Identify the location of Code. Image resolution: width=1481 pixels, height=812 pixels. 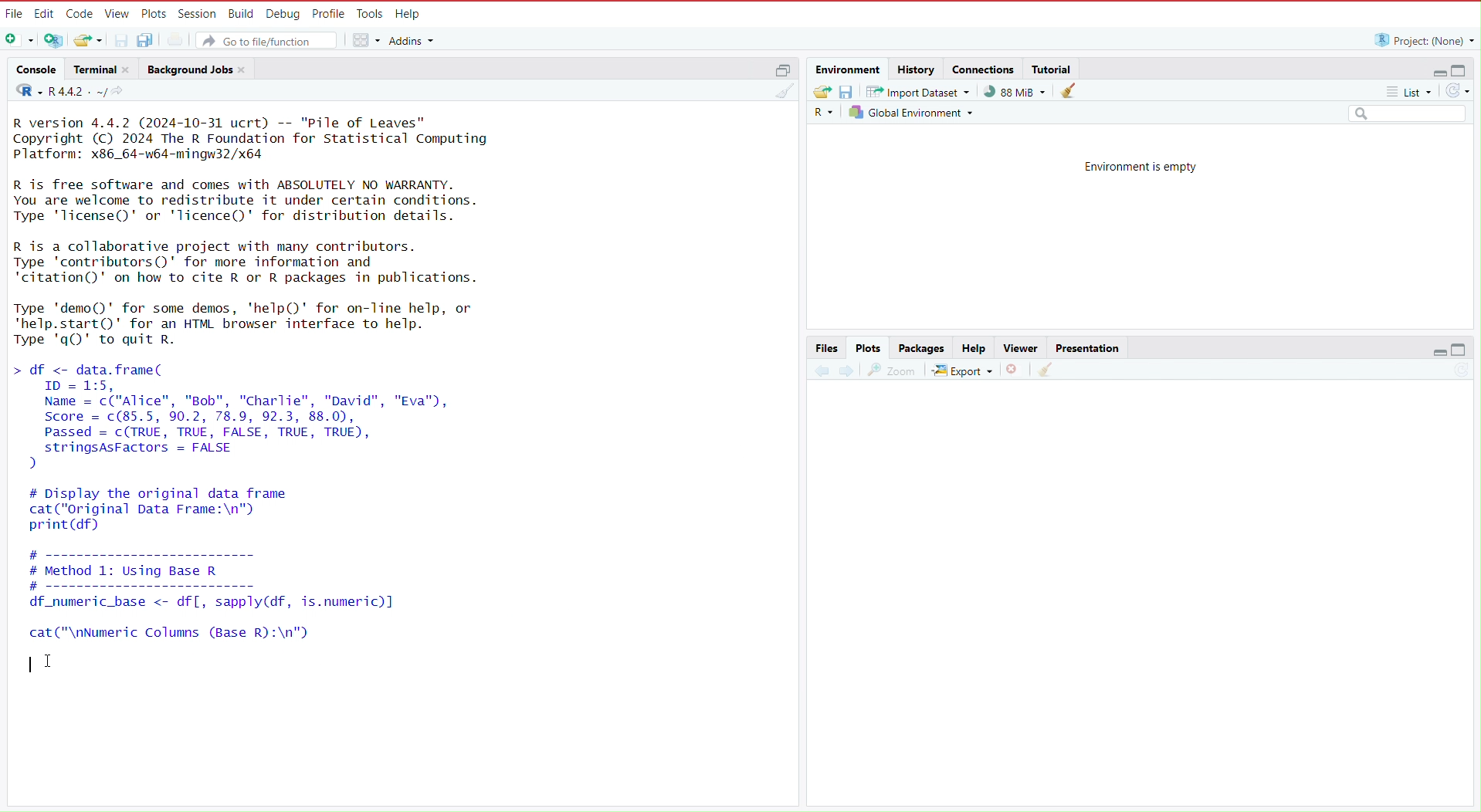
(79, 11).